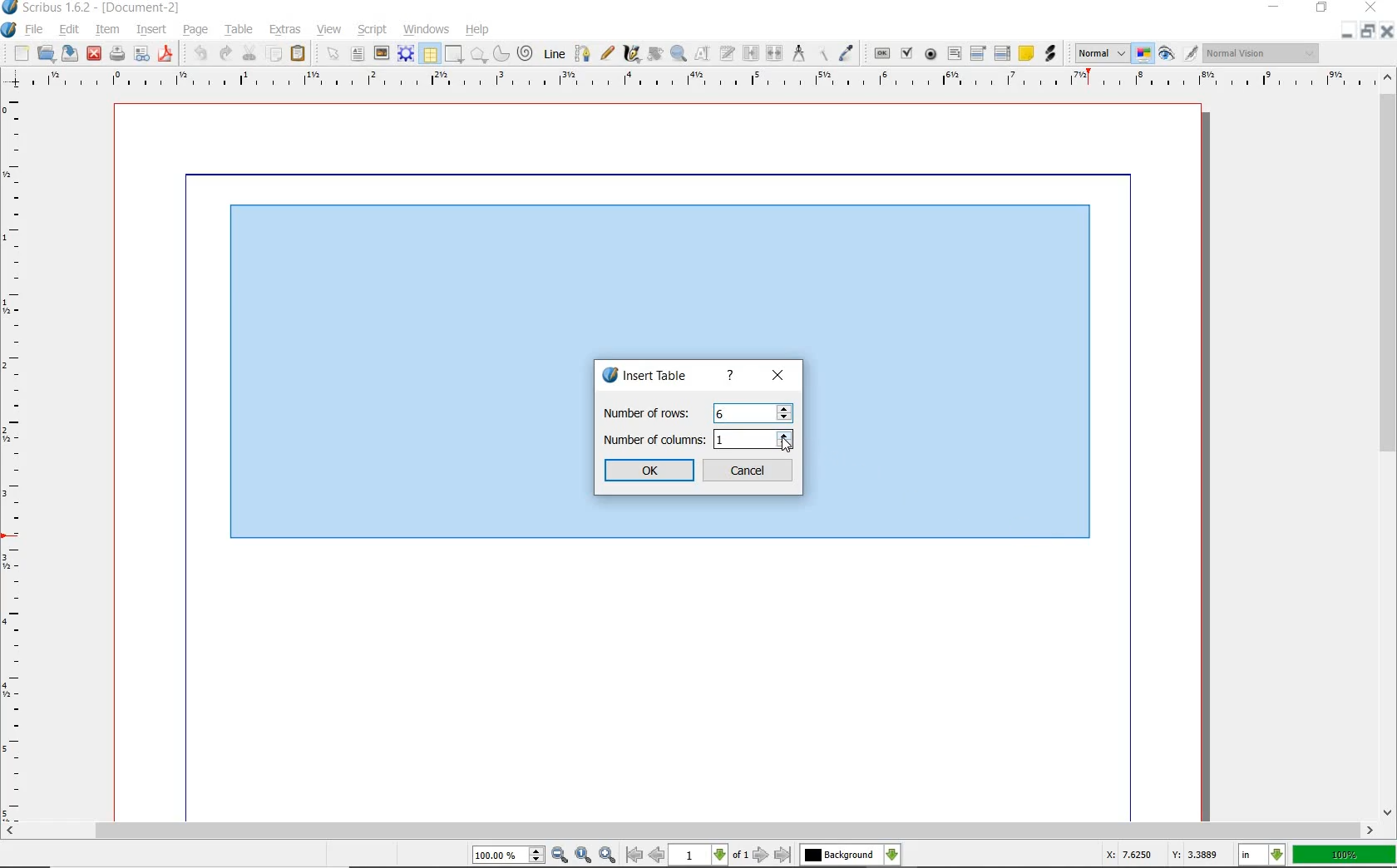 The height and width of the screenshot is (868, 1397). Describe the element at coordinates (93, 54) in the screenshot. I see `close` at that location.